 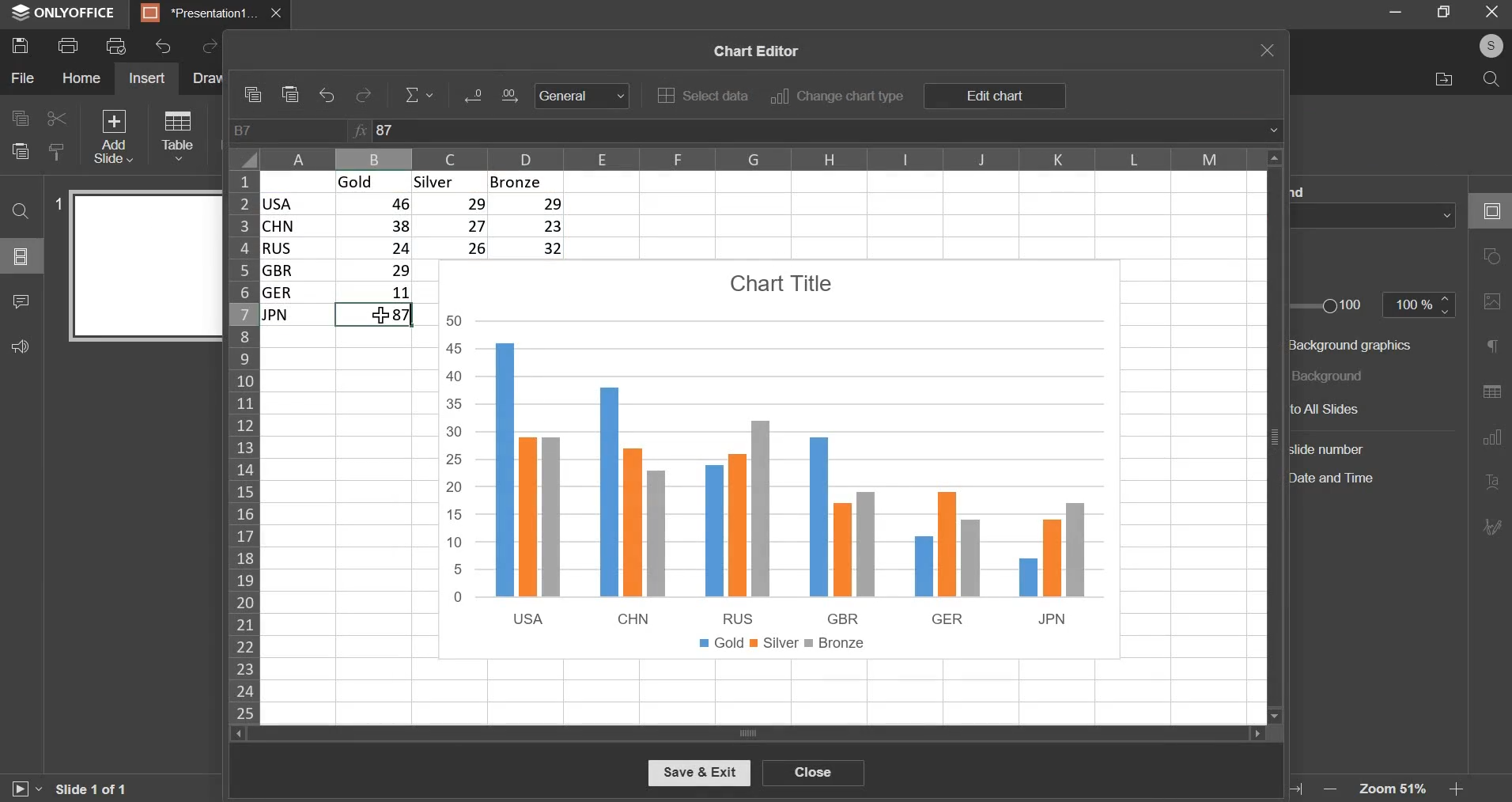 What do you see at coordinates (376, 206) in the screenshot?
I see `46` at bounding box center [376, 206].